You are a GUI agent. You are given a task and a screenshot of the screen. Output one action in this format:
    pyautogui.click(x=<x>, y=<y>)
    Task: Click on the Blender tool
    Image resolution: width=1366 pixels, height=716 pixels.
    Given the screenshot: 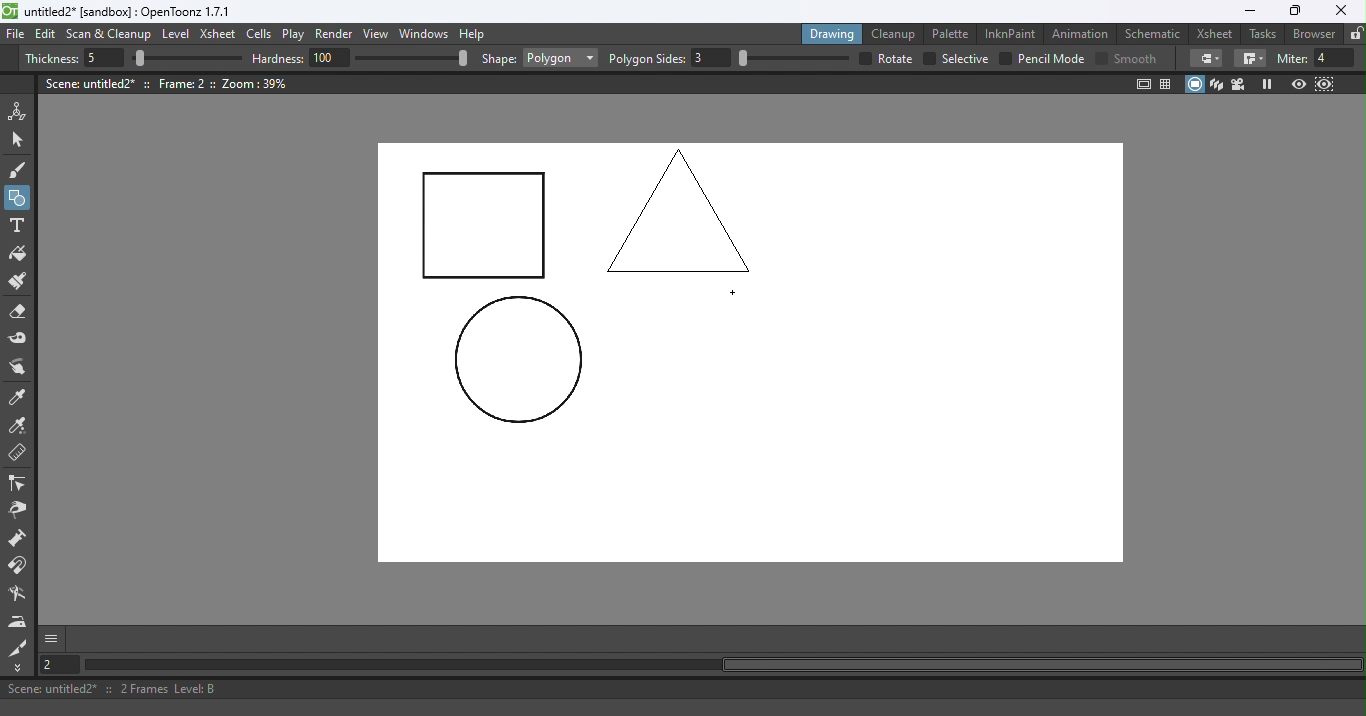 What is the action you would take?
    pyautogui.click(x=21, y=595)
    